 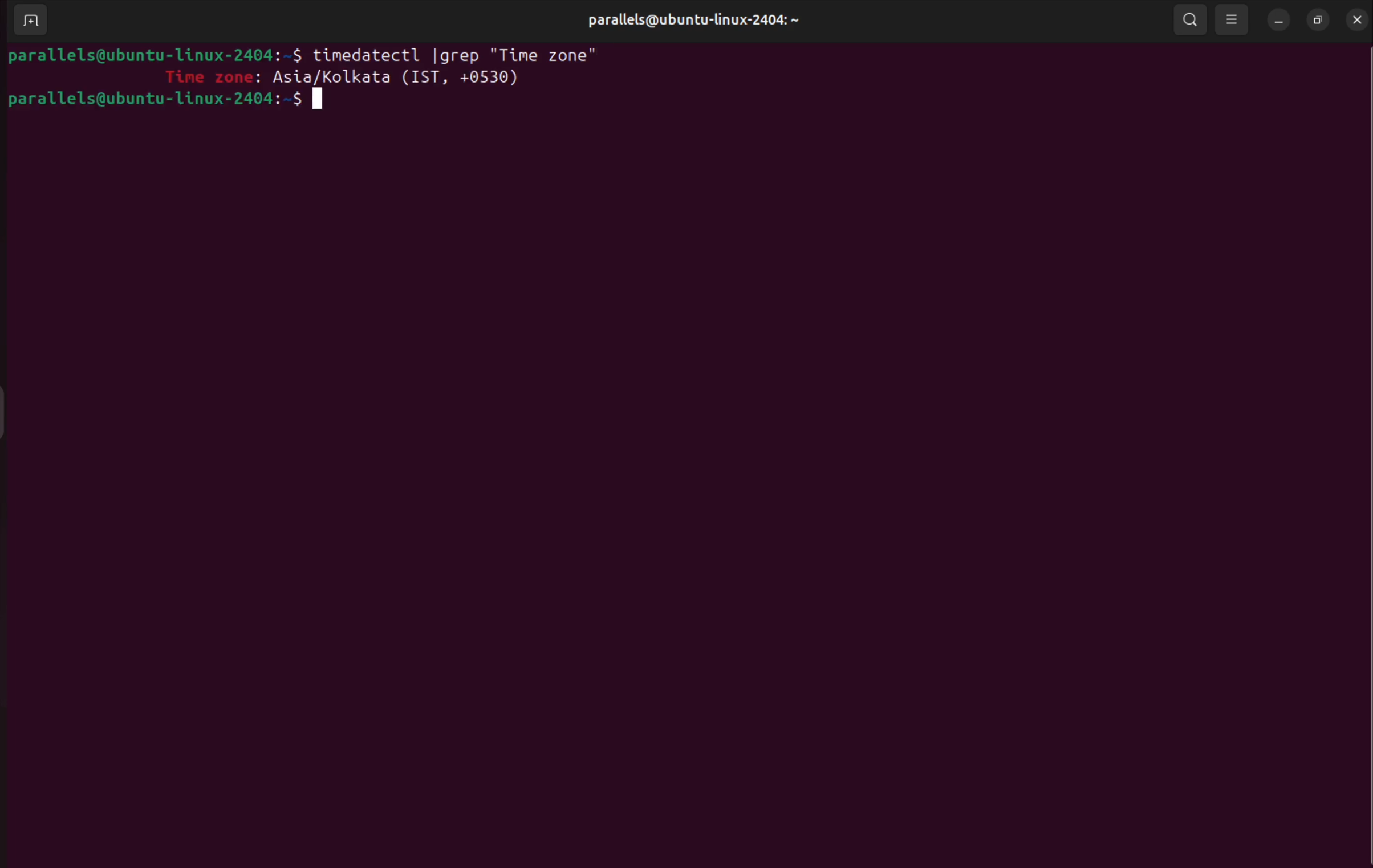 I want to click on parallels@ubuntu-linux-2404:-$, so click(x=155, y=53).